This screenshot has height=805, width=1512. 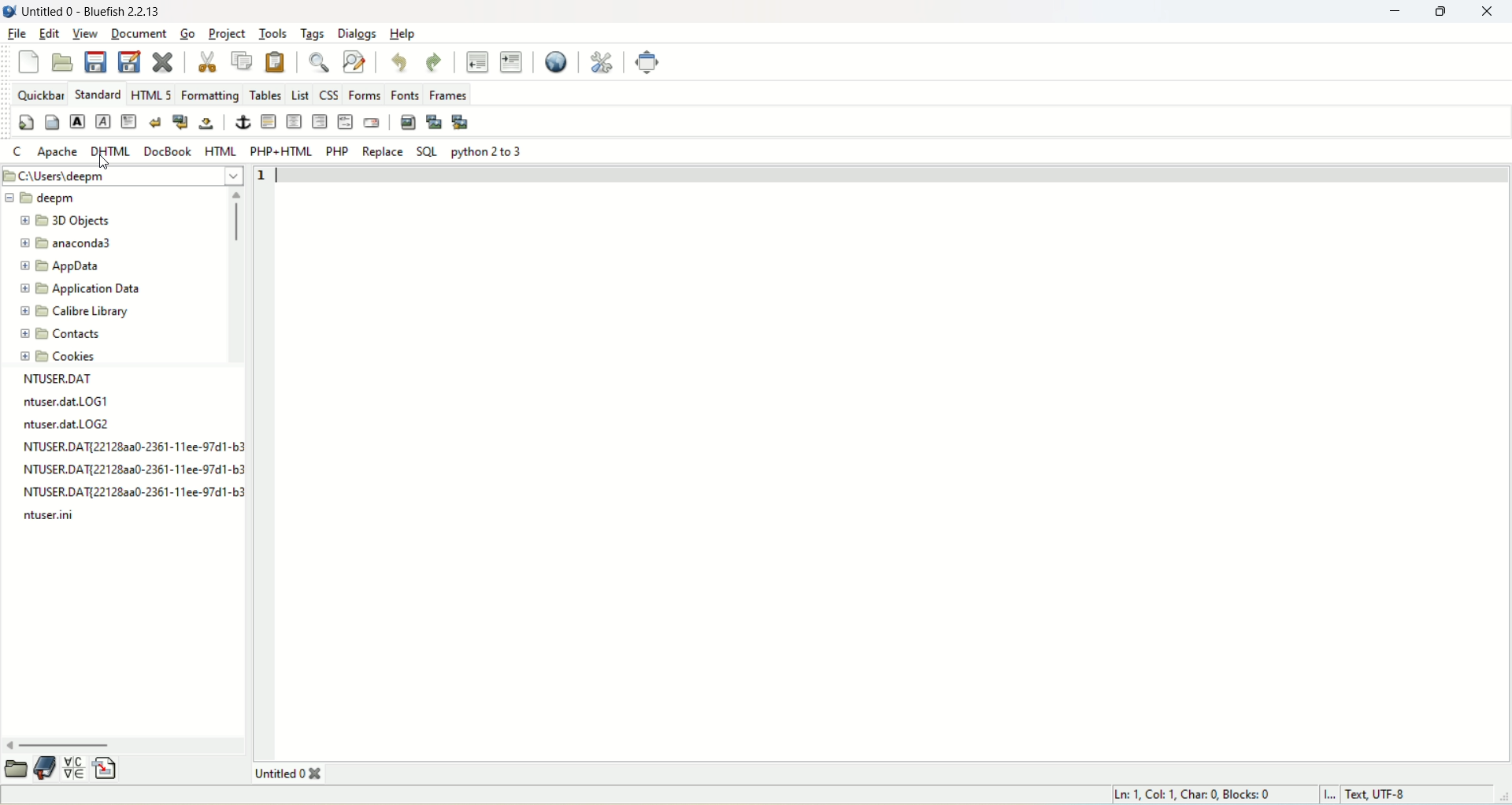 What do you see at coordinates (72, 312) in the screenshot?
I see `calibre` at bounding box center [72, 312].